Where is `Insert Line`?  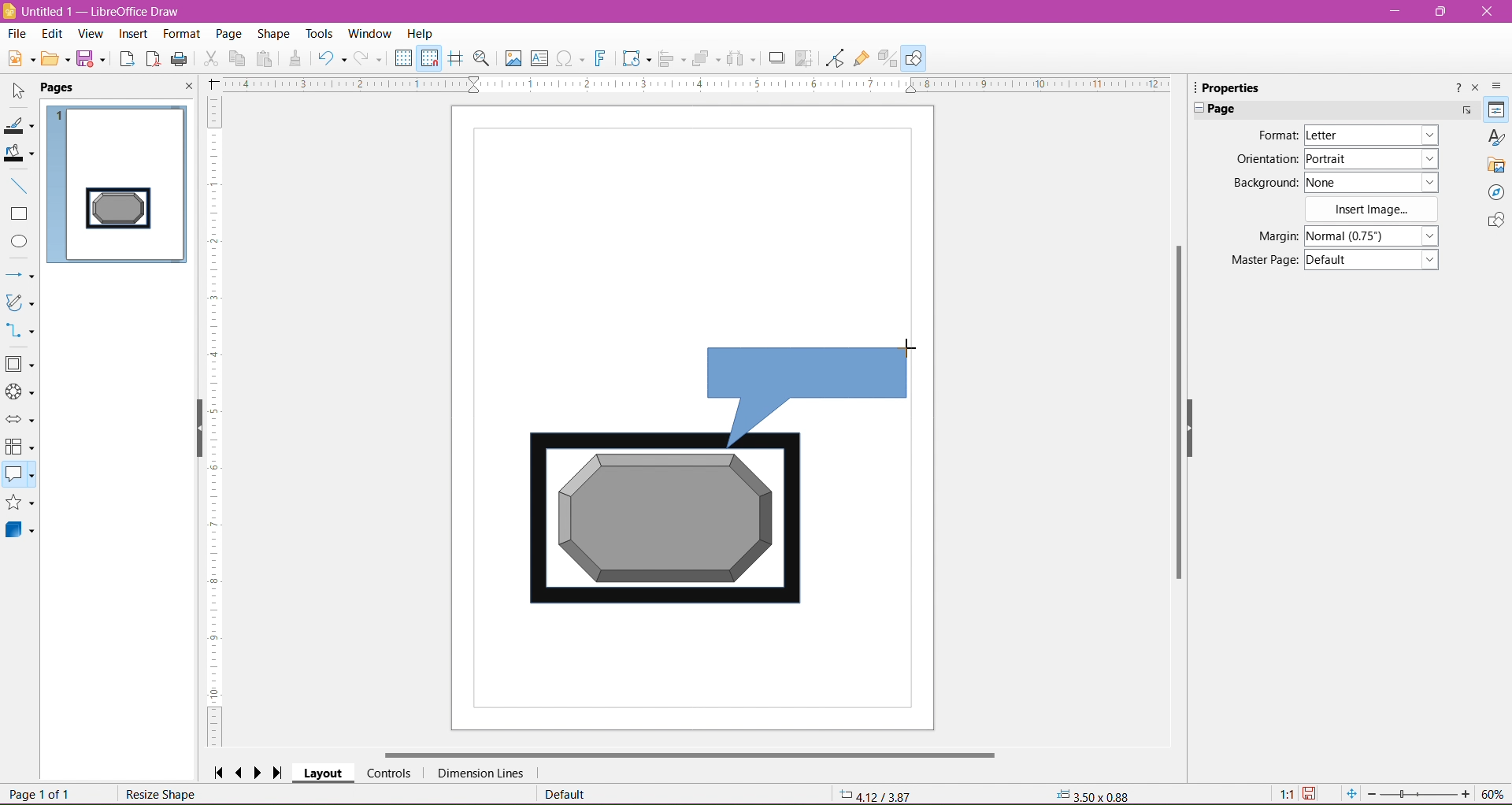
Insert Line is located at coordinates (20, 187).